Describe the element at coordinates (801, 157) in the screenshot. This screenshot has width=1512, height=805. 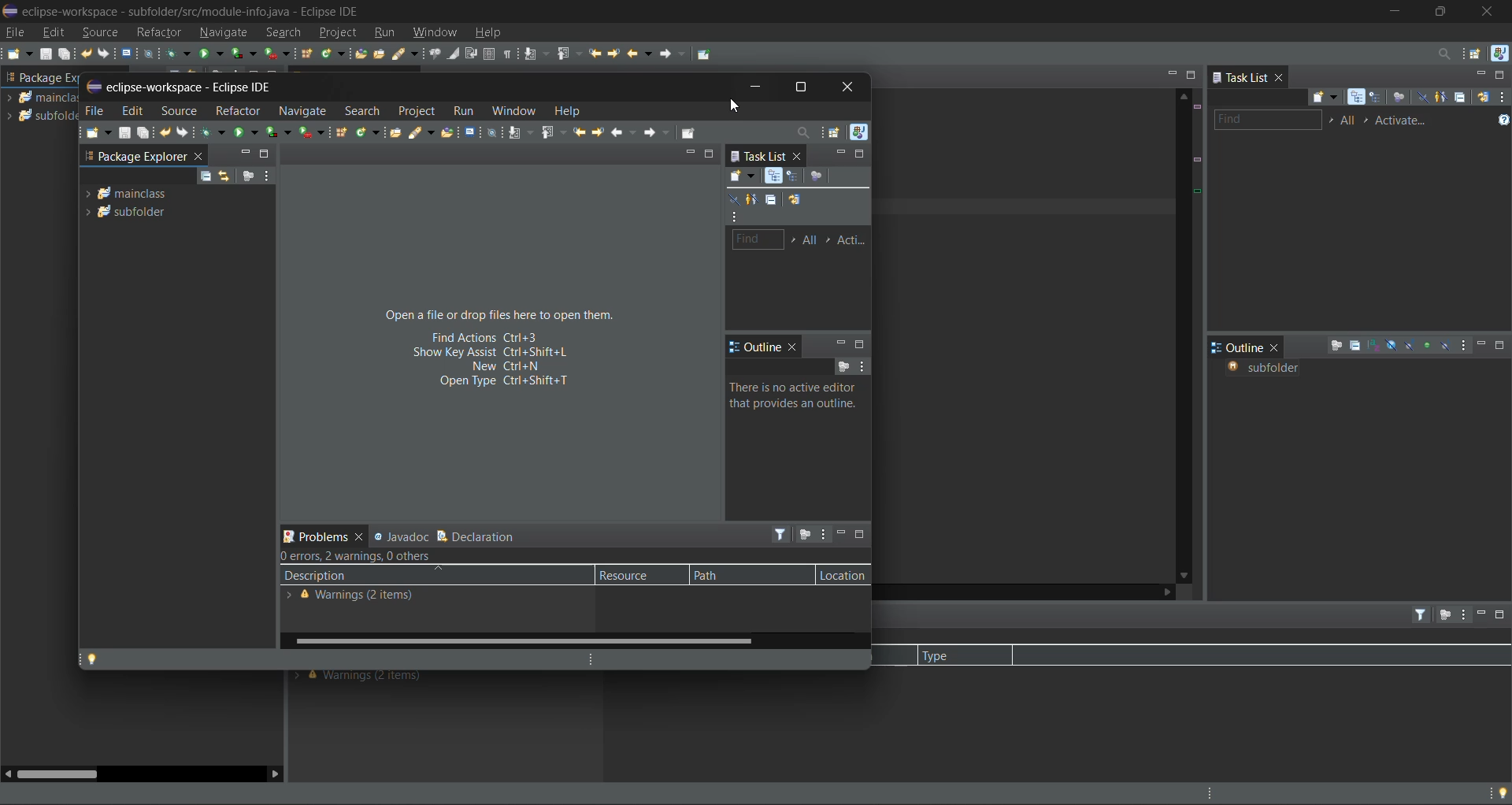
I see `close` at that location.